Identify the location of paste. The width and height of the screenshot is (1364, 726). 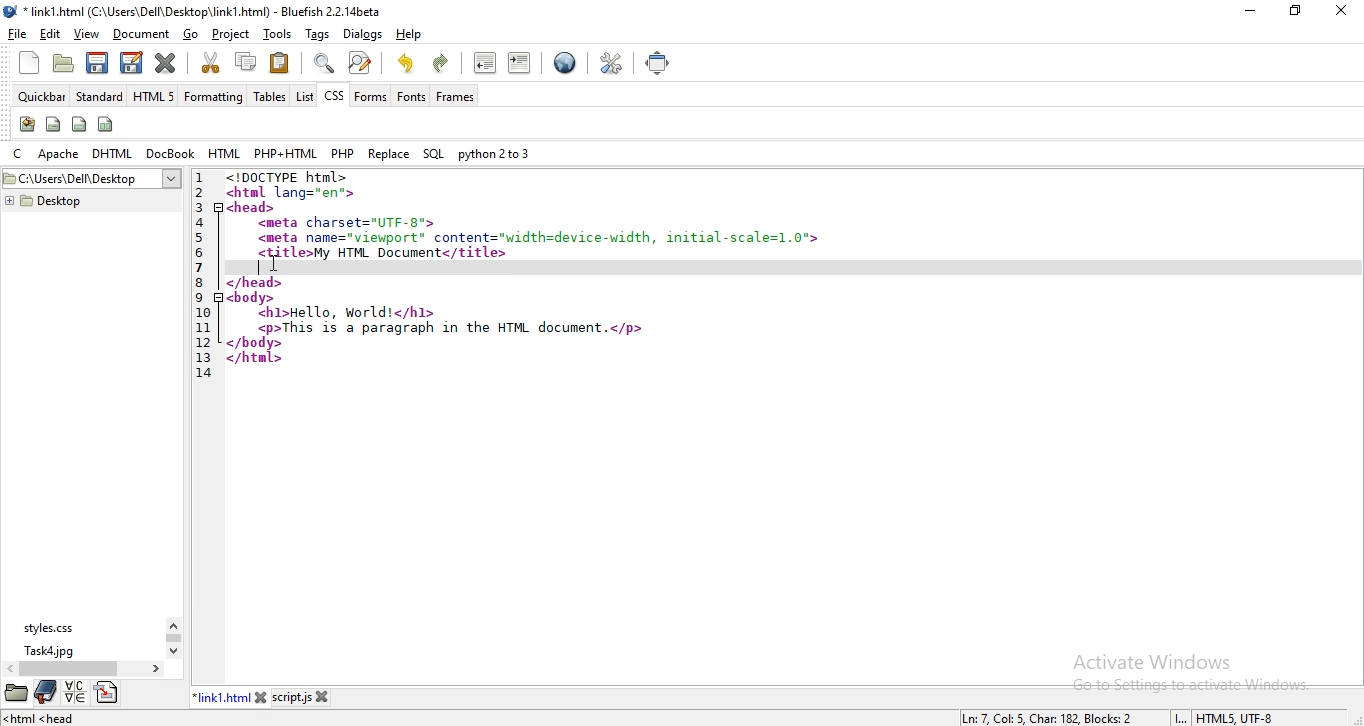
(281, 63).